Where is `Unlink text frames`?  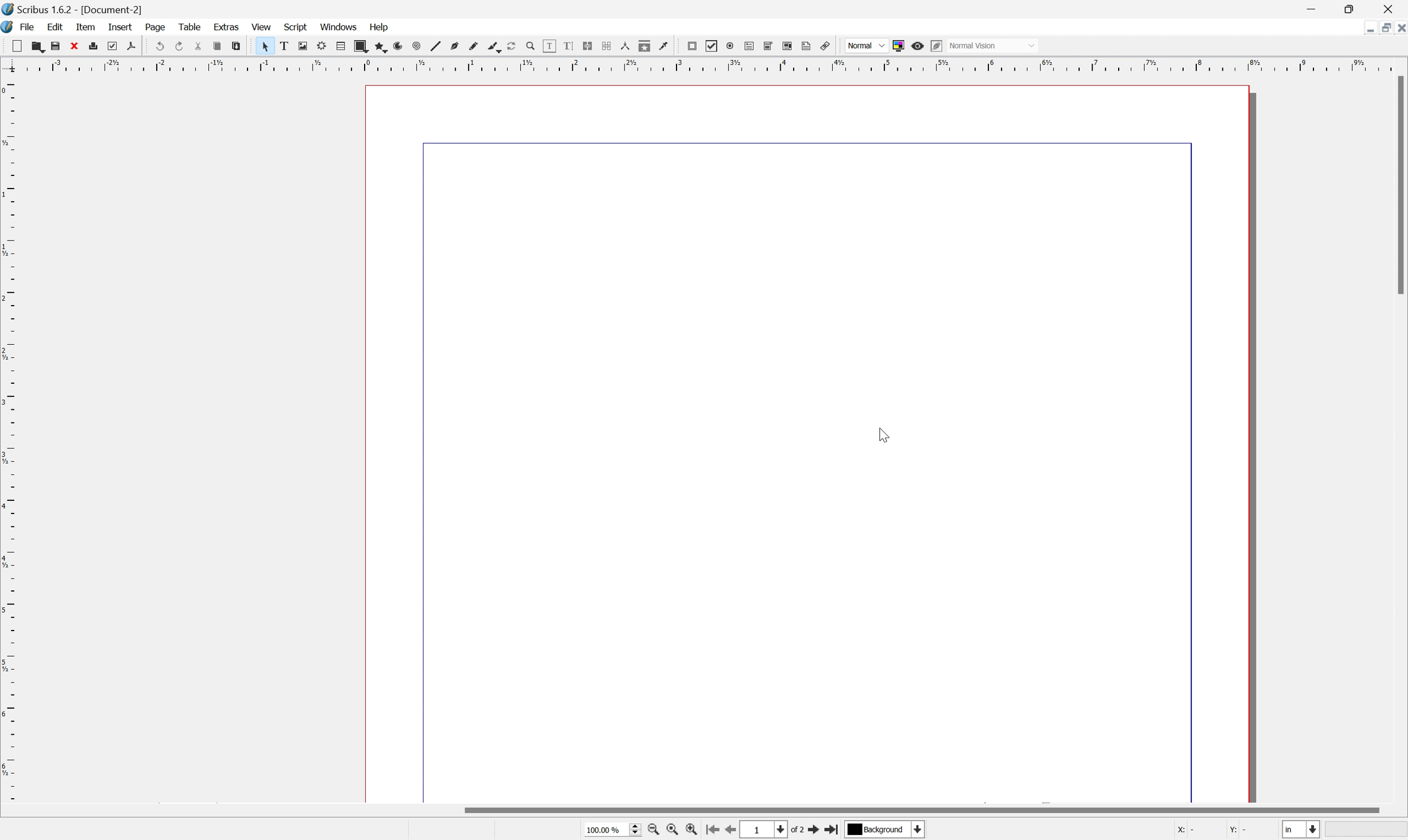
Unlink text frames is located at coordinates (609, 47).